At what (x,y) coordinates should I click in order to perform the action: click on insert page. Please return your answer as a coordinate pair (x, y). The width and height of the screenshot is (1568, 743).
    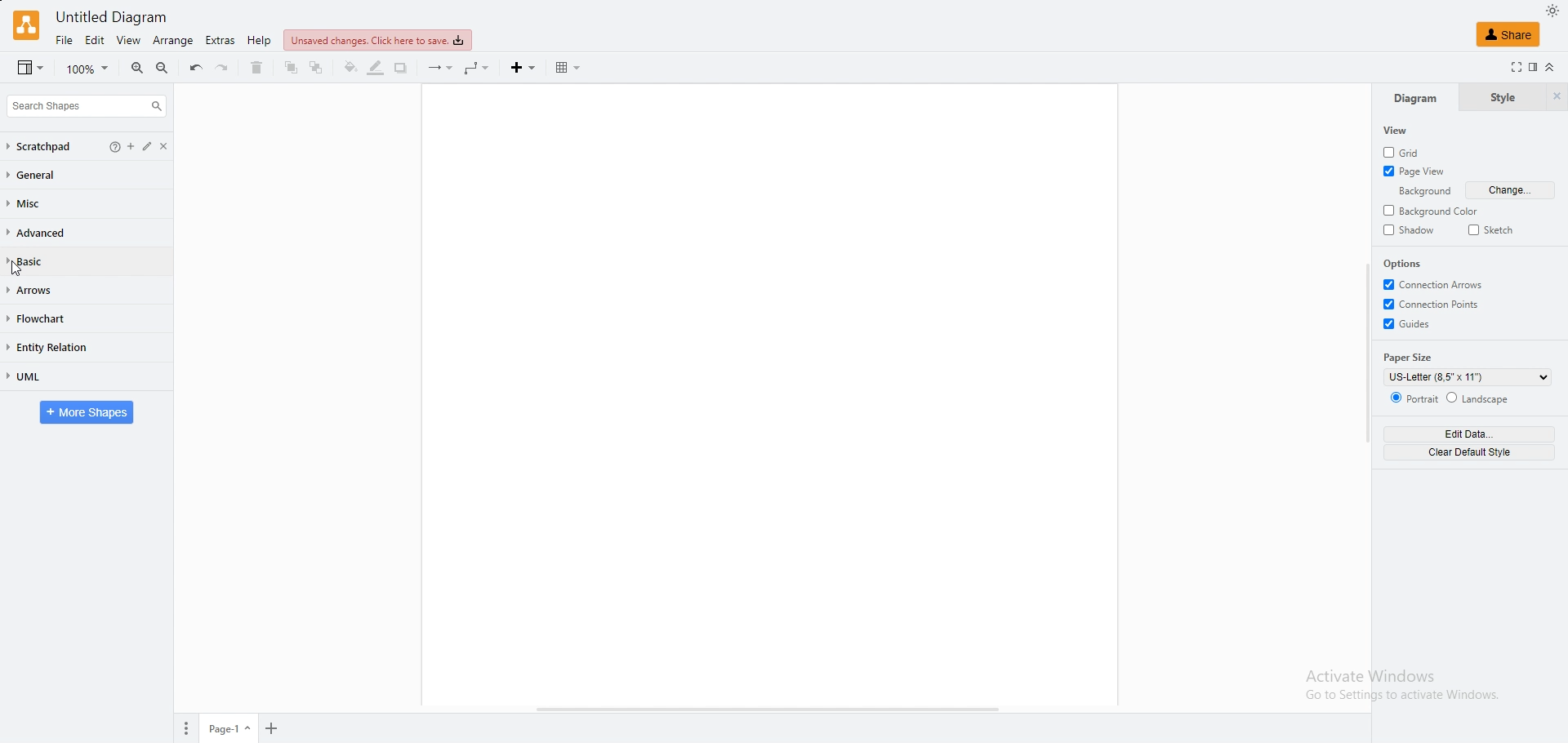
    Looking at the image, I should click on (270, 727).